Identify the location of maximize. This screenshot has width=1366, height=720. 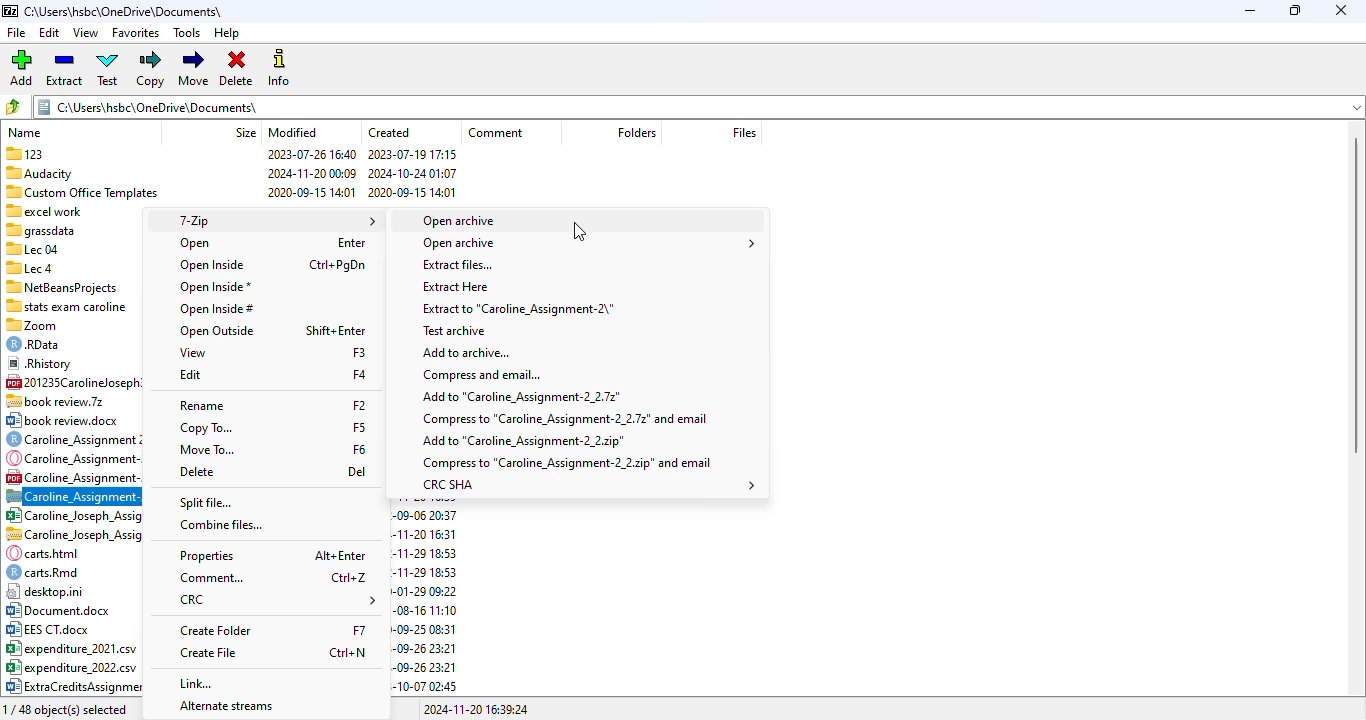
(1293, 10).